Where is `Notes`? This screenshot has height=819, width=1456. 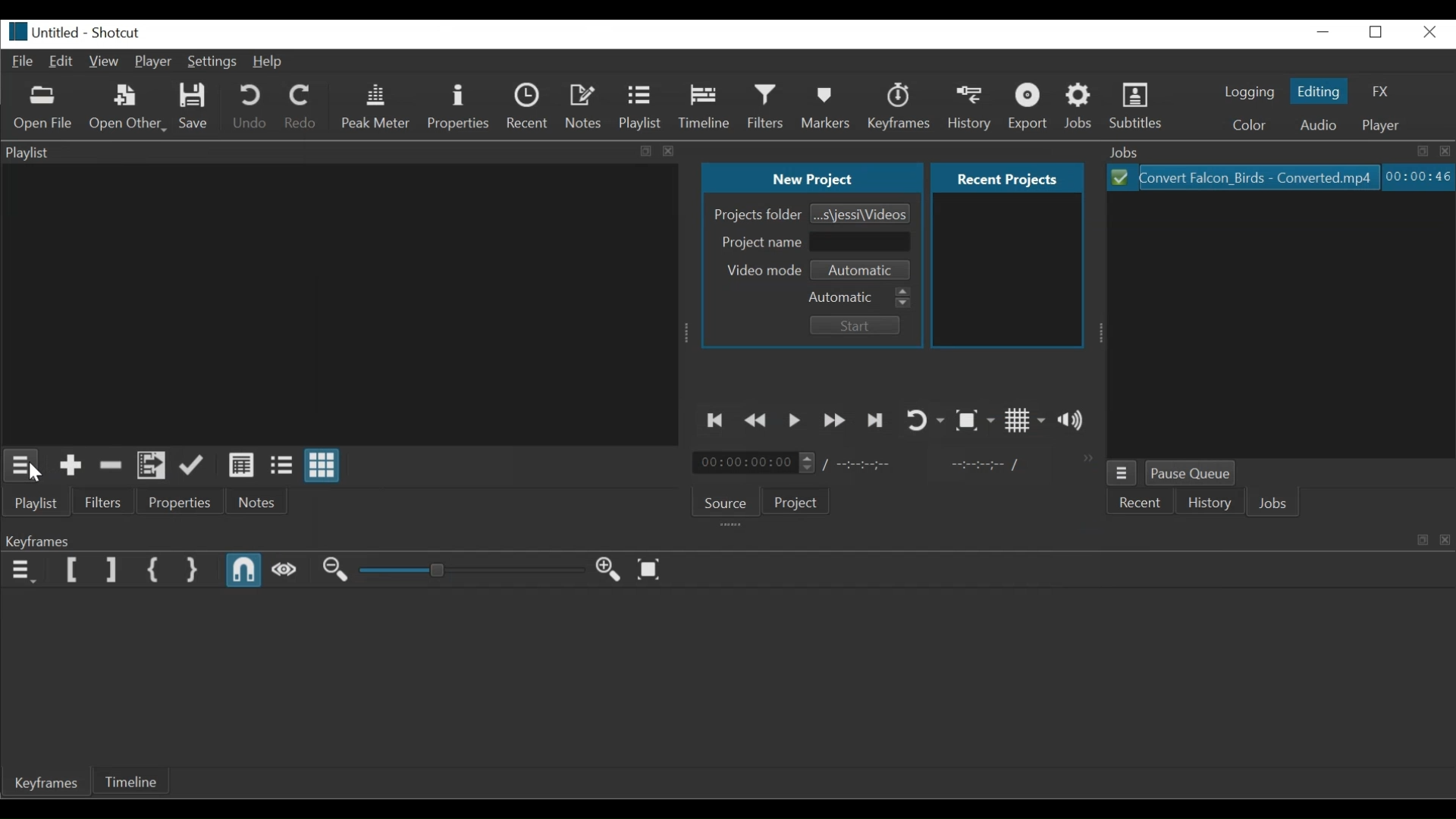 Notes is located at coordinates (583, 106).